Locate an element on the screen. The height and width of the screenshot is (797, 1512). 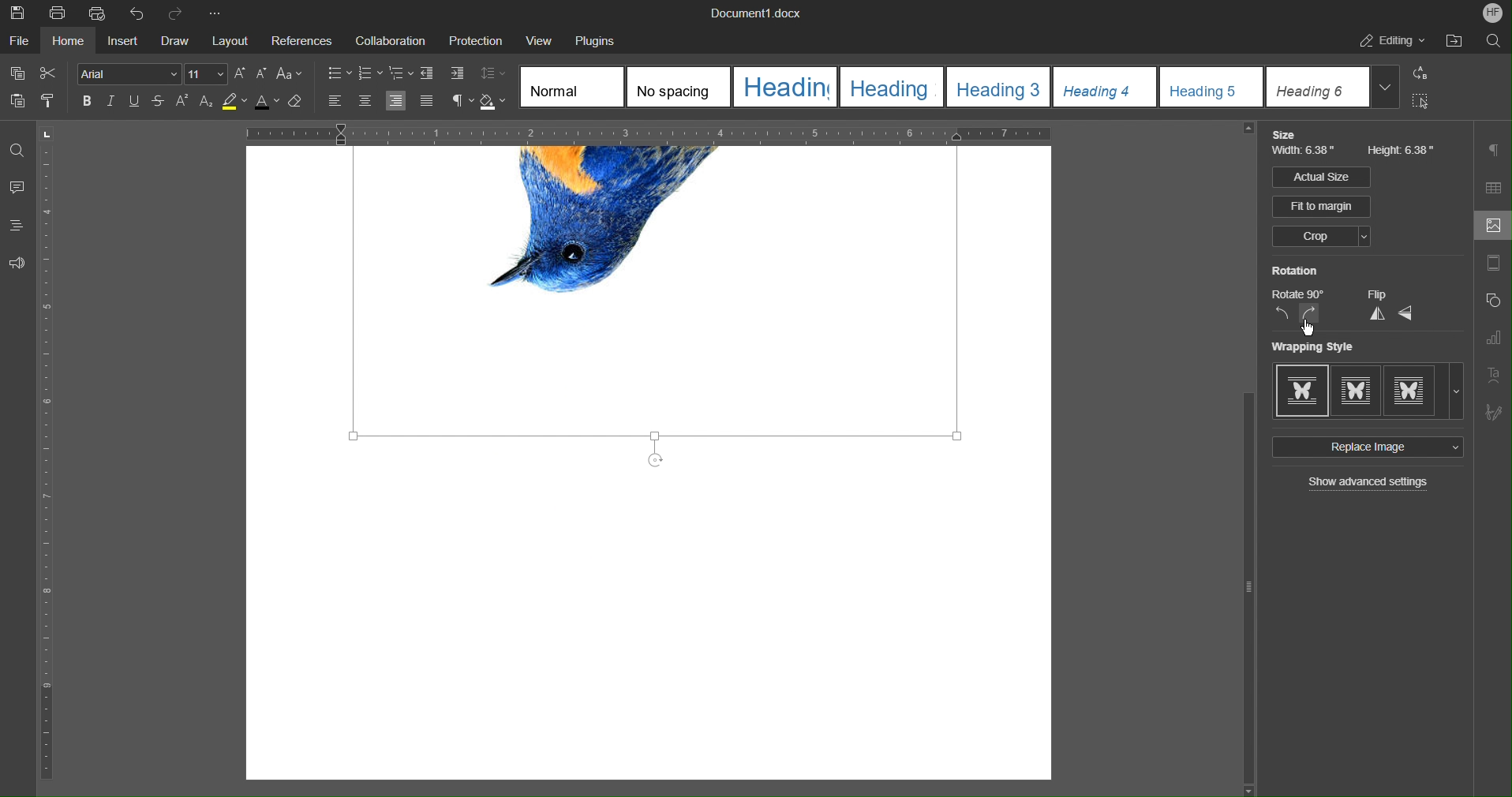
Save is located at coordinates (19, 13).